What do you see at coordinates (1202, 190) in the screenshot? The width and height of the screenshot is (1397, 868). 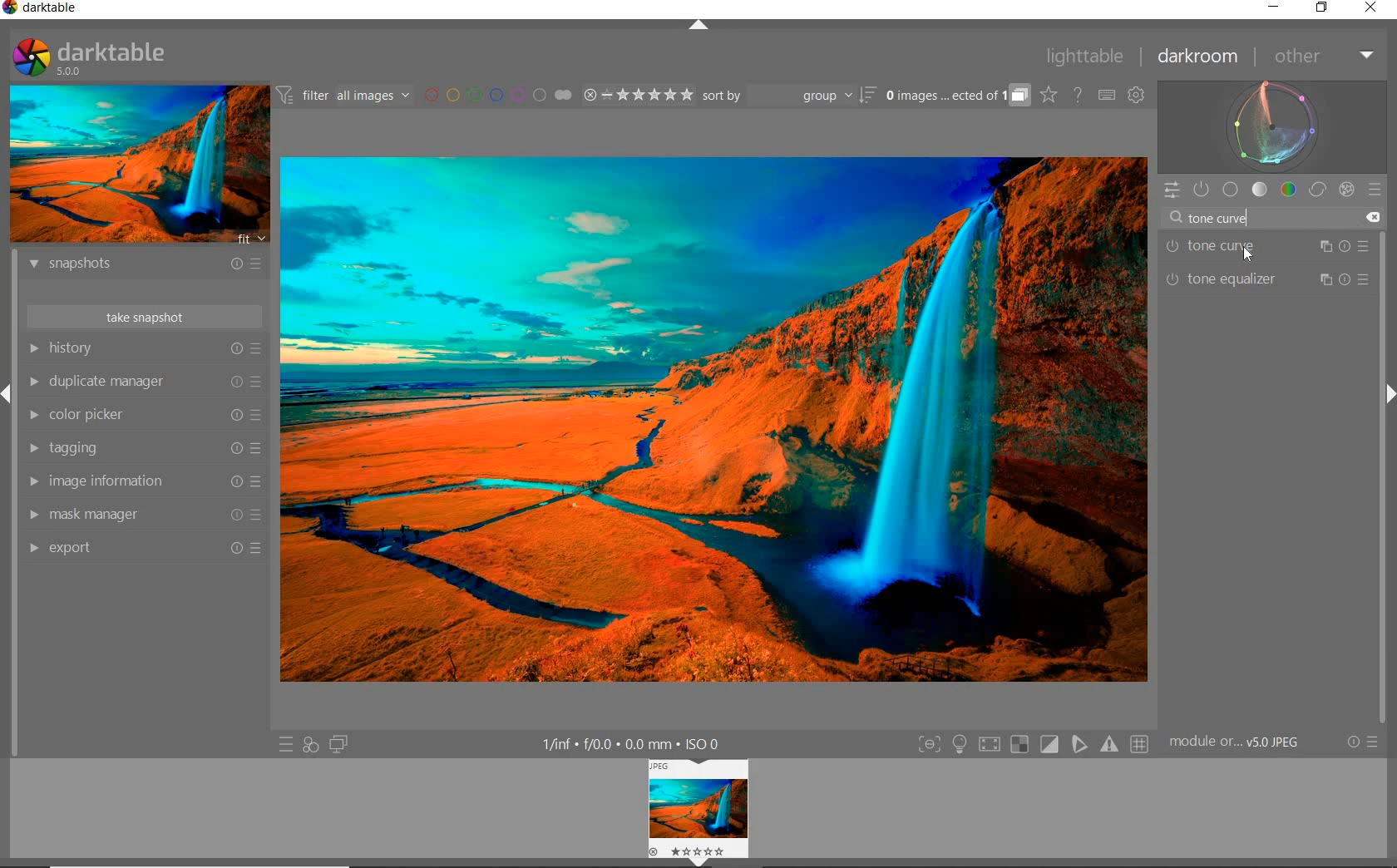 I see `SHOW ONLY ACTIVE MODULES` at bounding box center [1202, 190].